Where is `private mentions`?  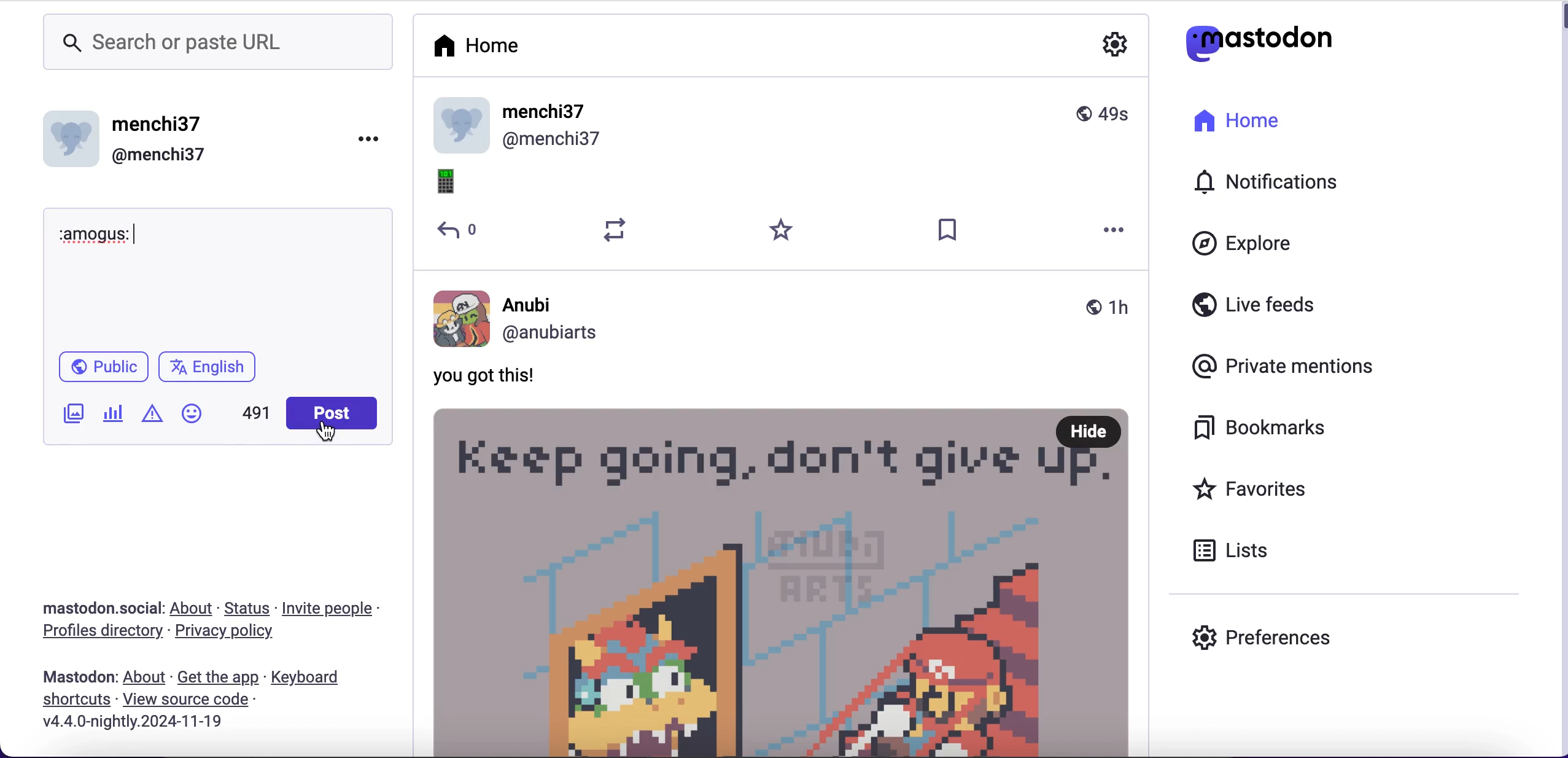 private mentions is located at coordinates (1285, 363).